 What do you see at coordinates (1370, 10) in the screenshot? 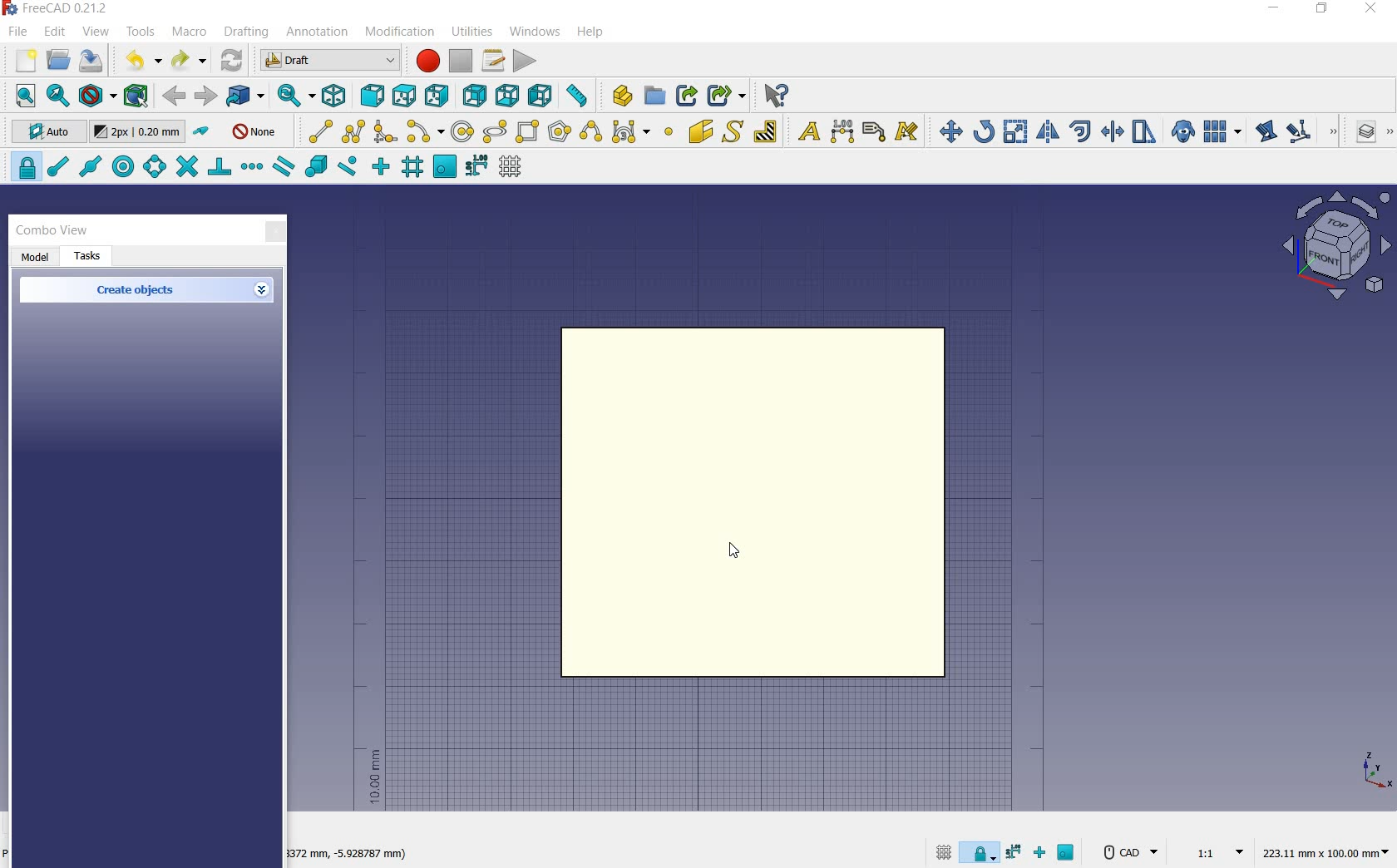
I see `close` at bounding box center [1370, 10].